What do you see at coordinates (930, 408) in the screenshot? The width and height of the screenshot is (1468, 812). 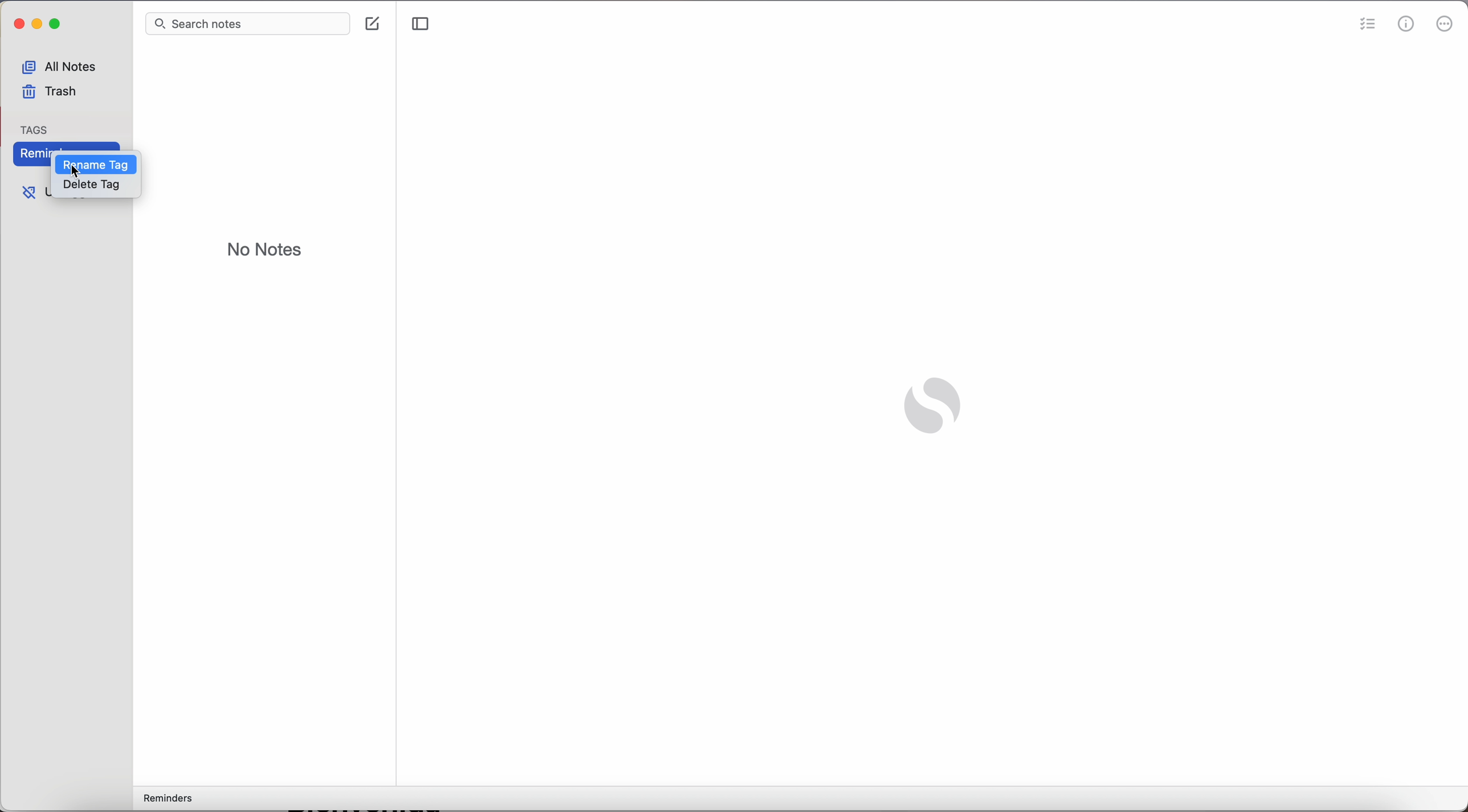 I see `Simplenote logo` at bounding box center [930, 408].